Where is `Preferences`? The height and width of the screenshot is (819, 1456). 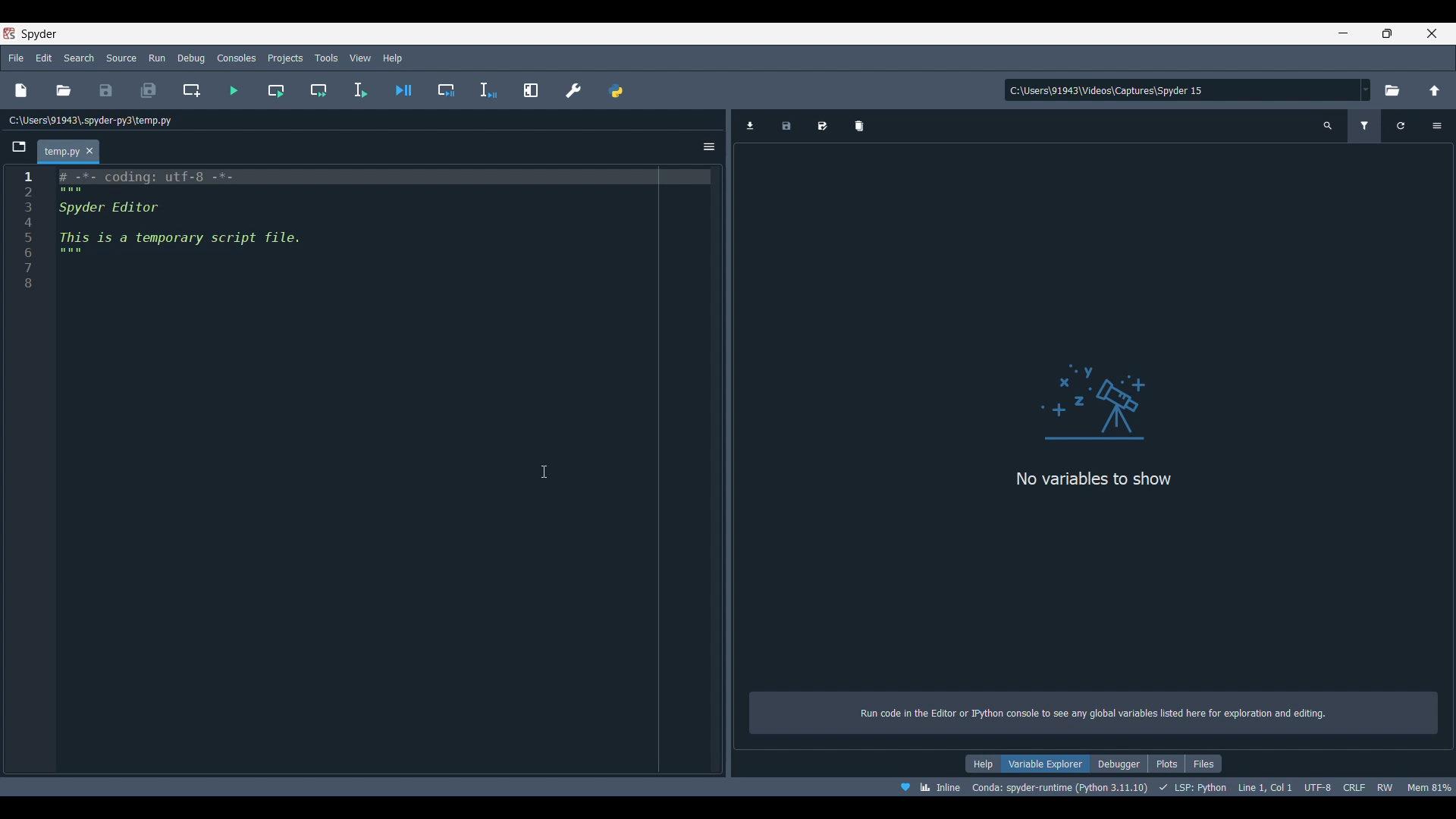 Preferences is located at coordinates (573, 90).